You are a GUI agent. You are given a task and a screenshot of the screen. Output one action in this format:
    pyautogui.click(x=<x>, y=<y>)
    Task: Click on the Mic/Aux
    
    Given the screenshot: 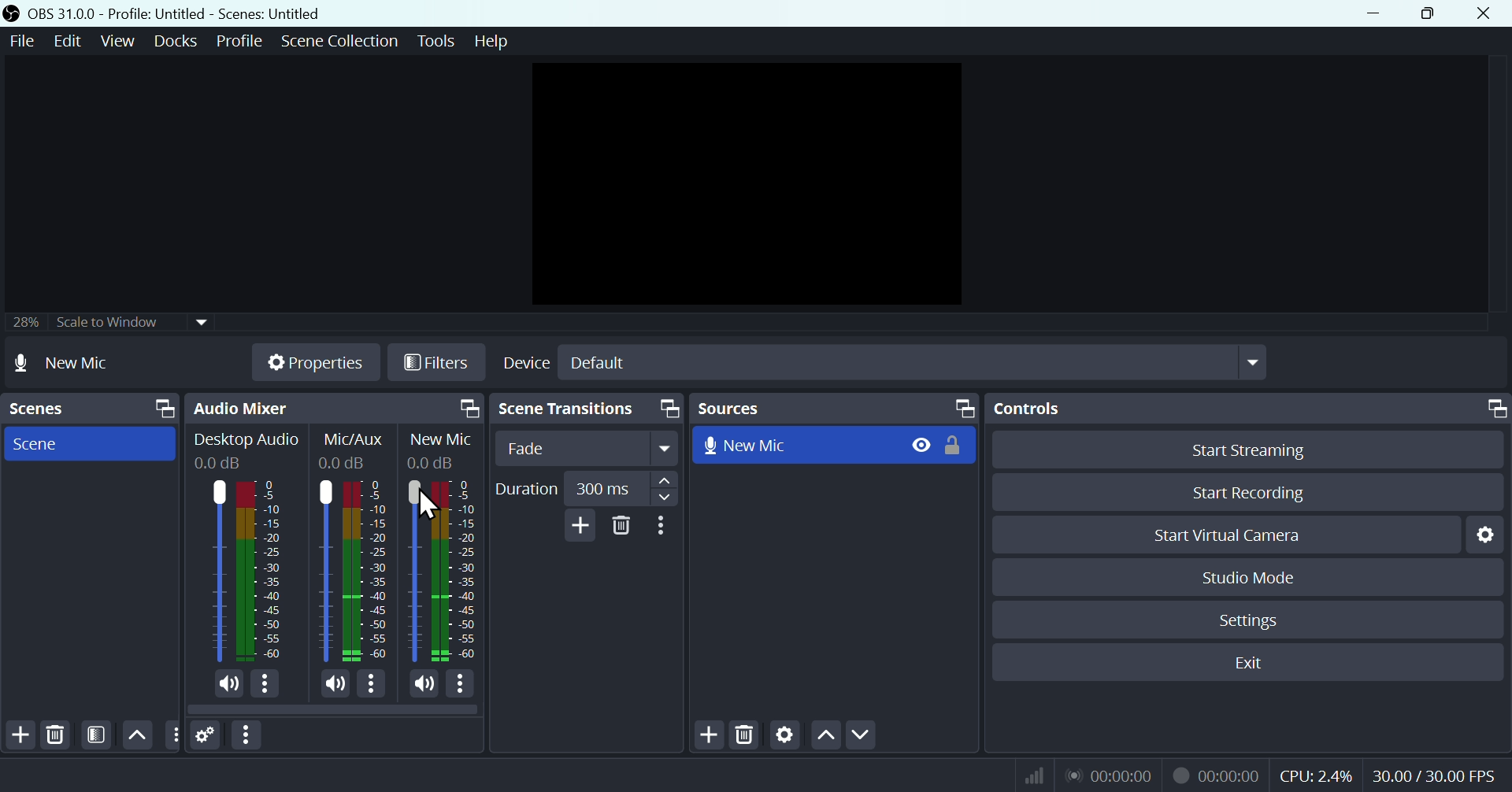 What is the action you would take?
    pyautogui.click(x=324, y=570)
    